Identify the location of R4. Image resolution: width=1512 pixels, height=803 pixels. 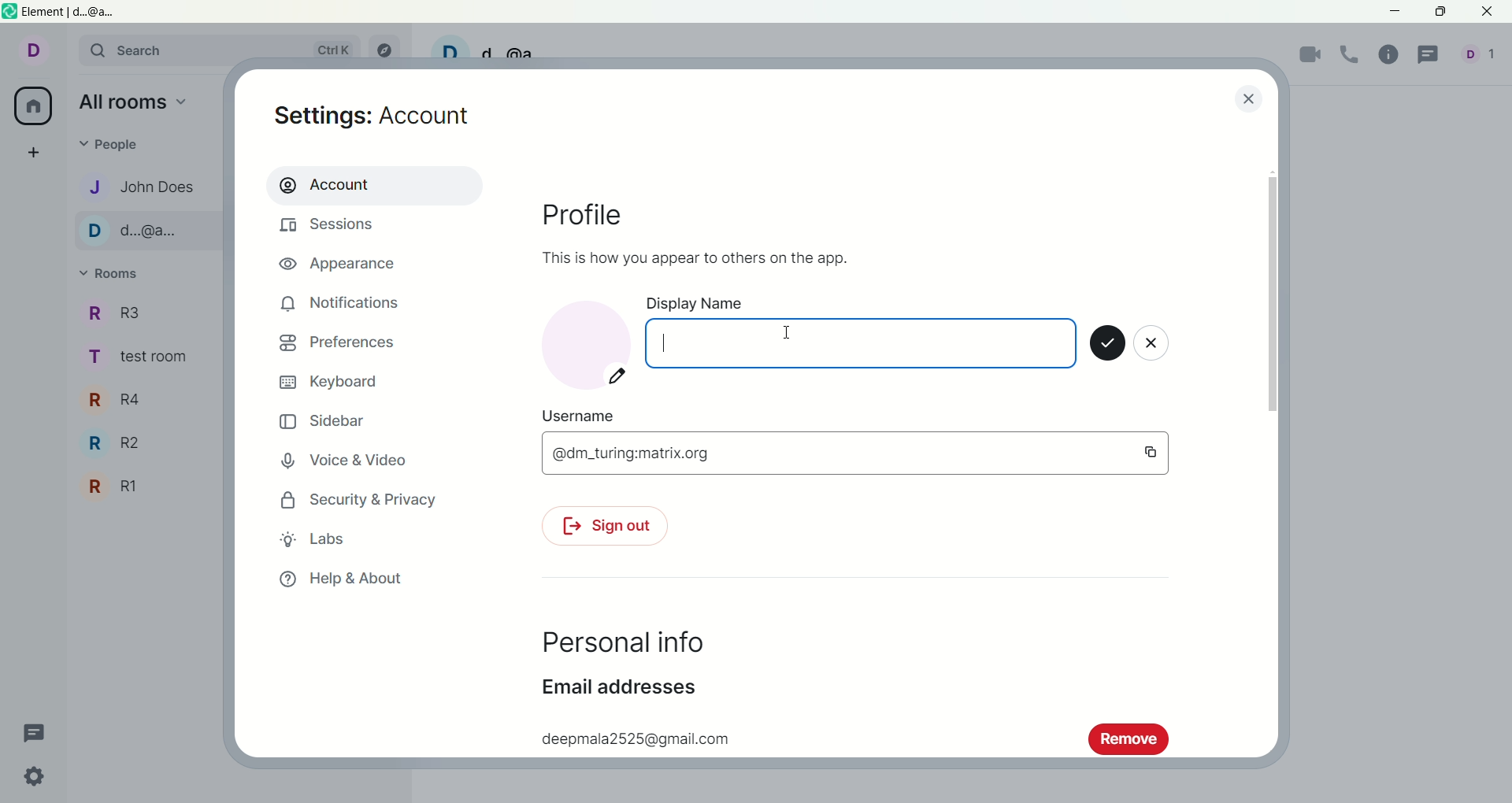
(121, 400).